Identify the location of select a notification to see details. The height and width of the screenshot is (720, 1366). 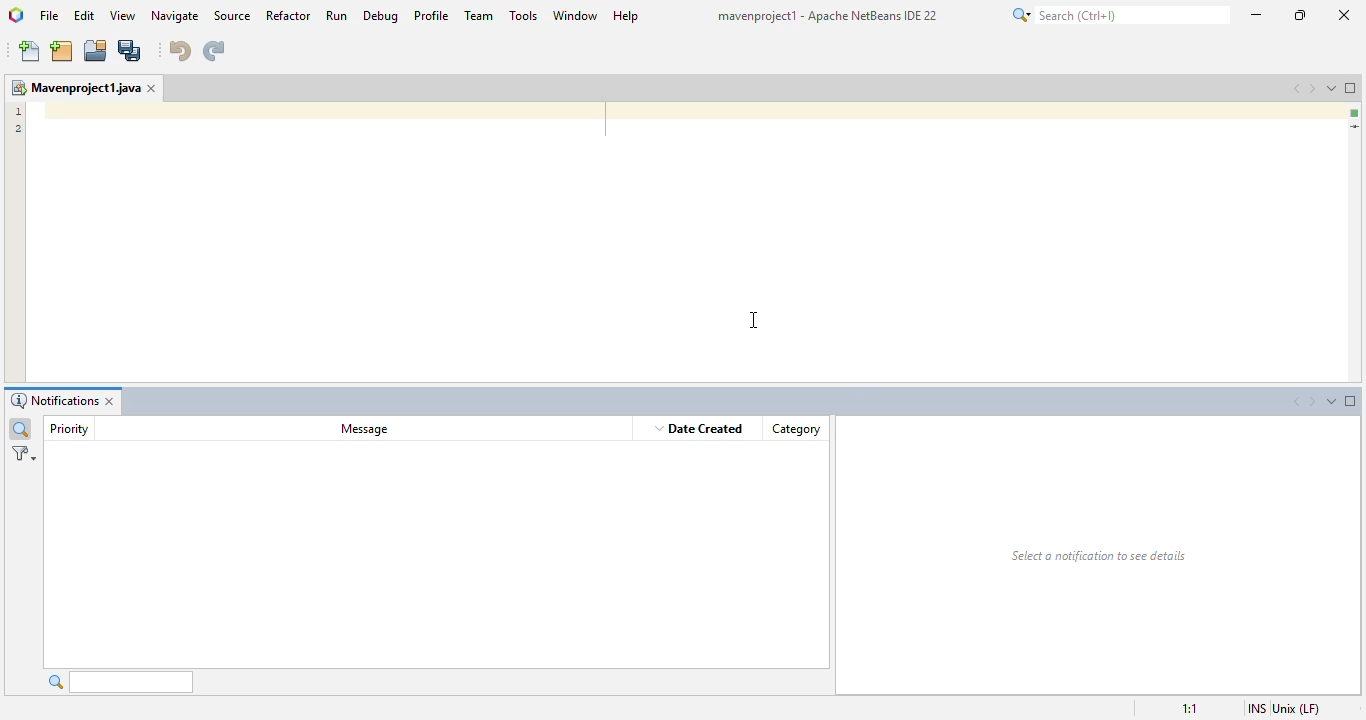
(1098, 556).